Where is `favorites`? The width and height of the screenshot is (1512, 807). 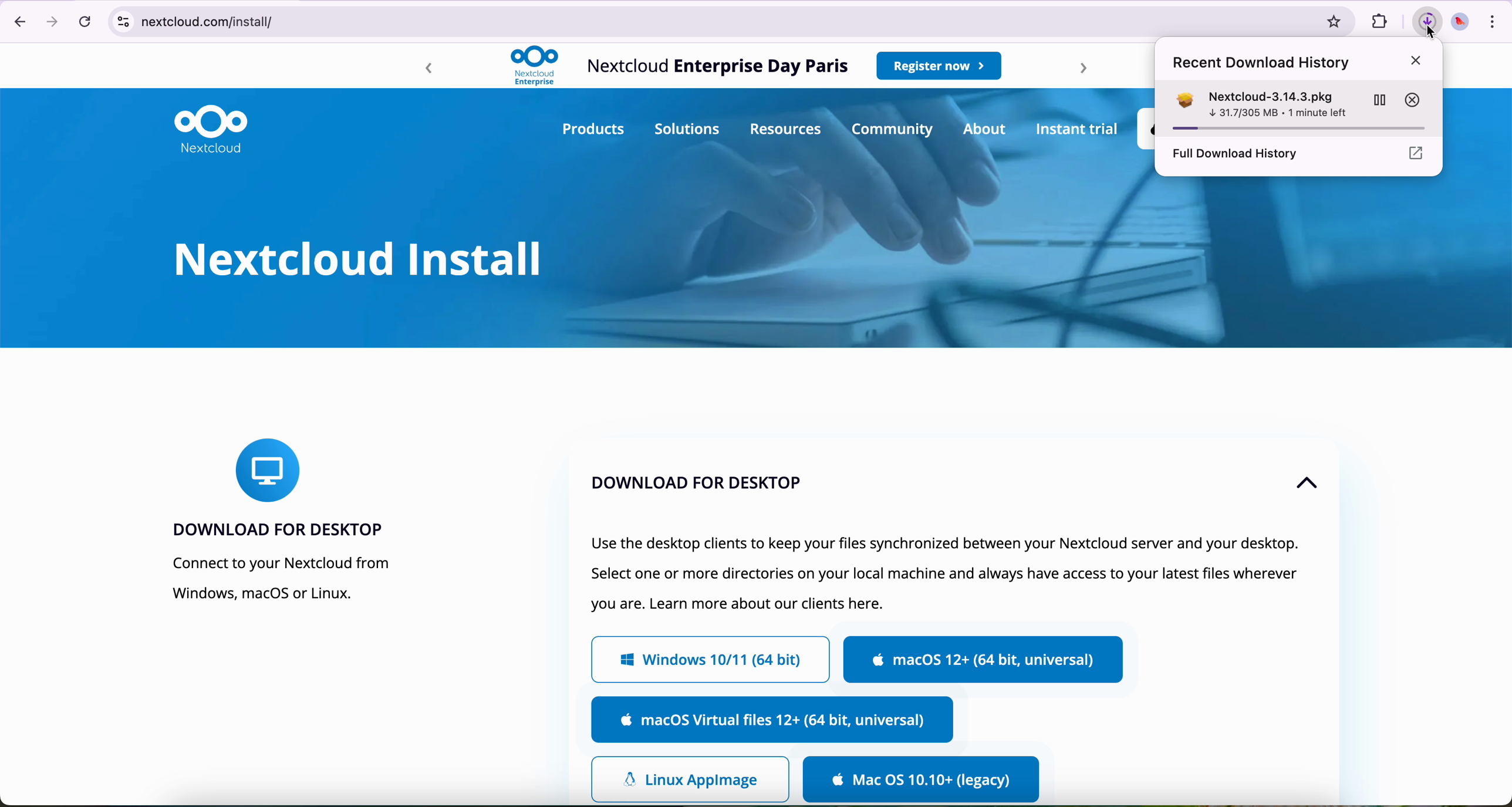
favorites is located at coordinates (1326, 16).